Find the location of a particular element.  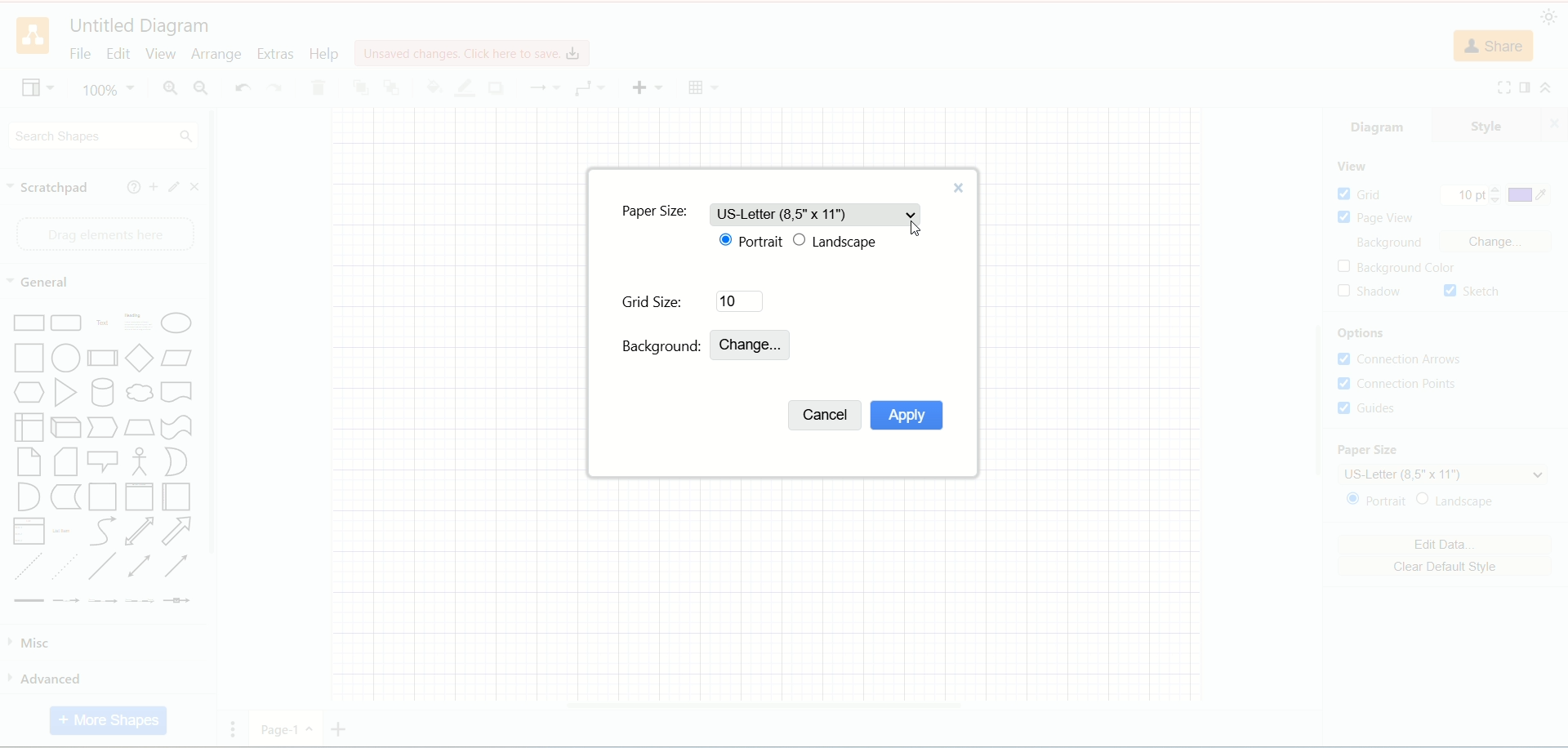

Bidirectional Arrow is located at coordinates (139, 532).